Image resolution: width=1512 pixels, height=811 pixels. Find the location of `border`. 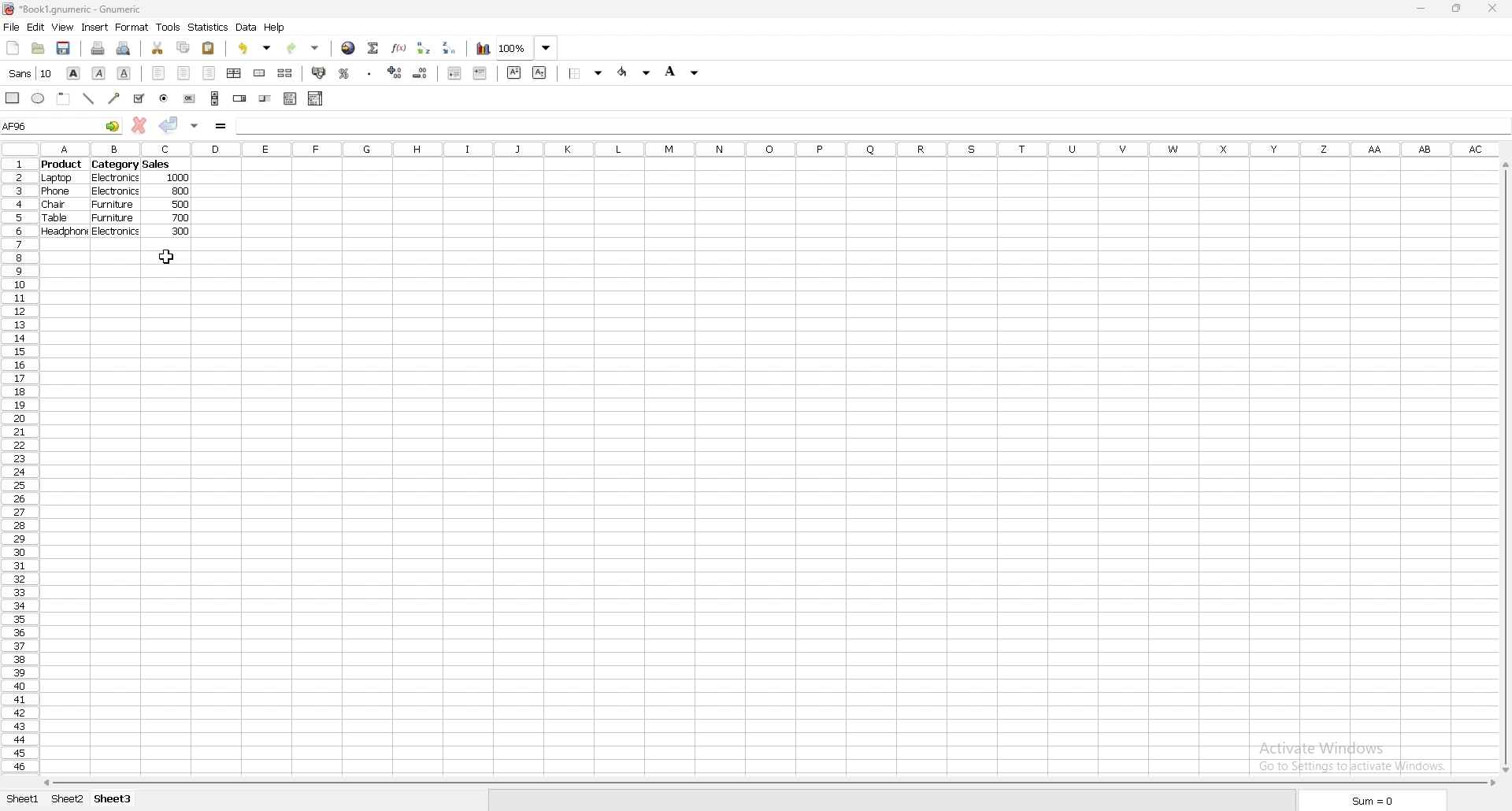

border is located at coordinates (587, 72).